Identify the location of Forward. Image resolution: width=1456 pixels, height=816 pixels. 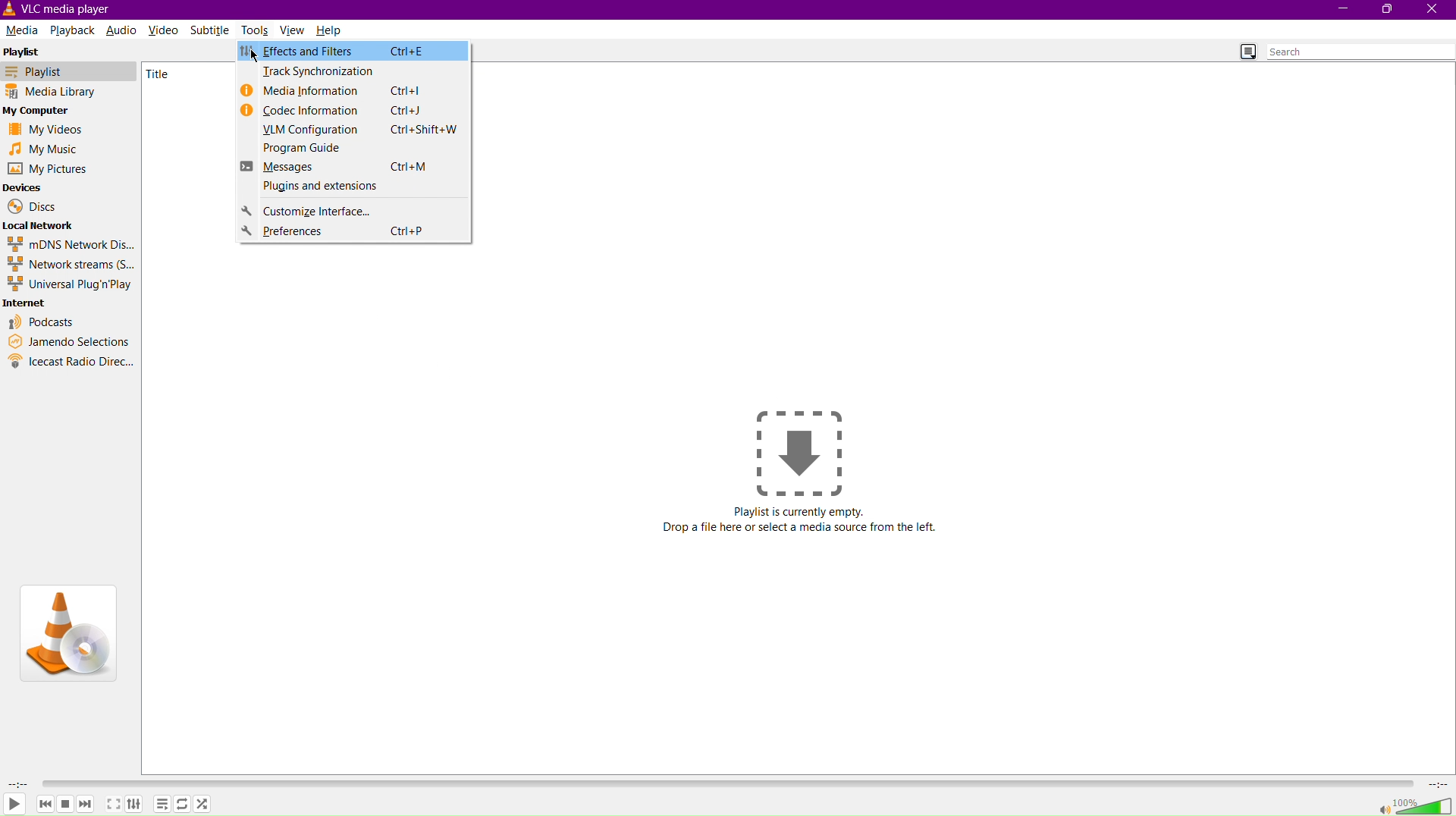
(87, 803).